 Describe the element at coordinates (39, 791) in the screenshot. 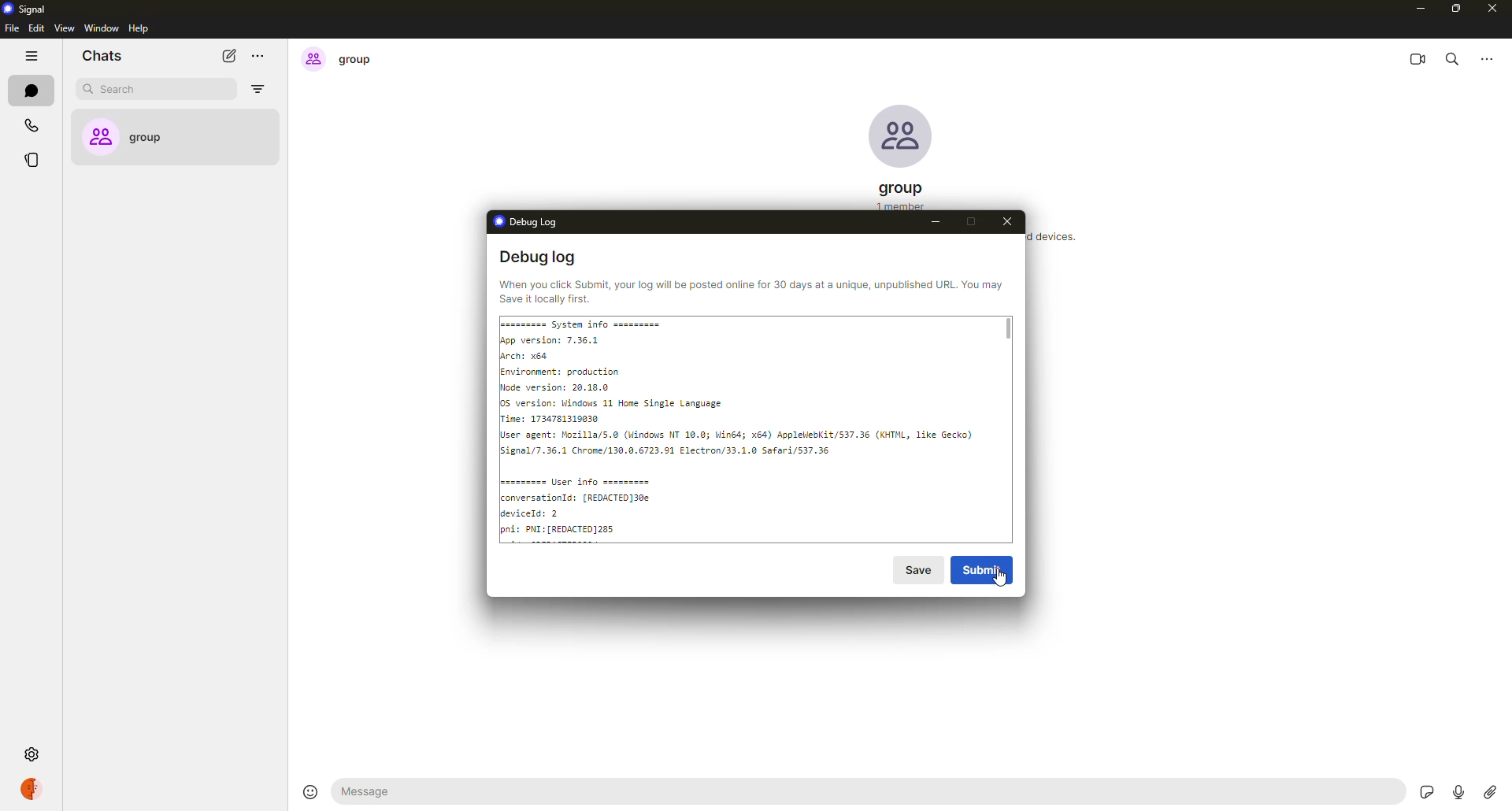

I see `profile` at that location.